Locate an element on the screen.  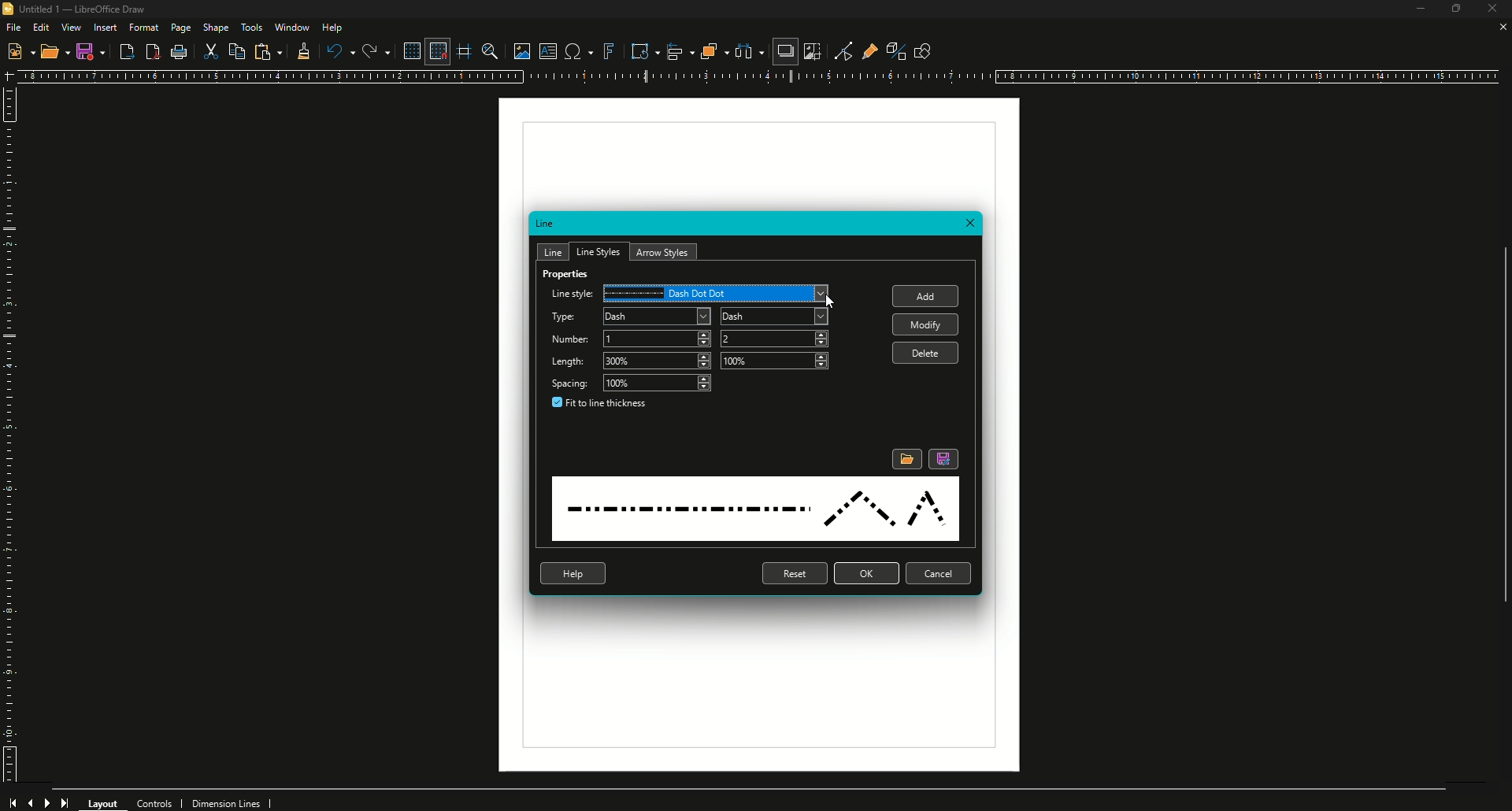
Export is located at coordinates (126, 53).